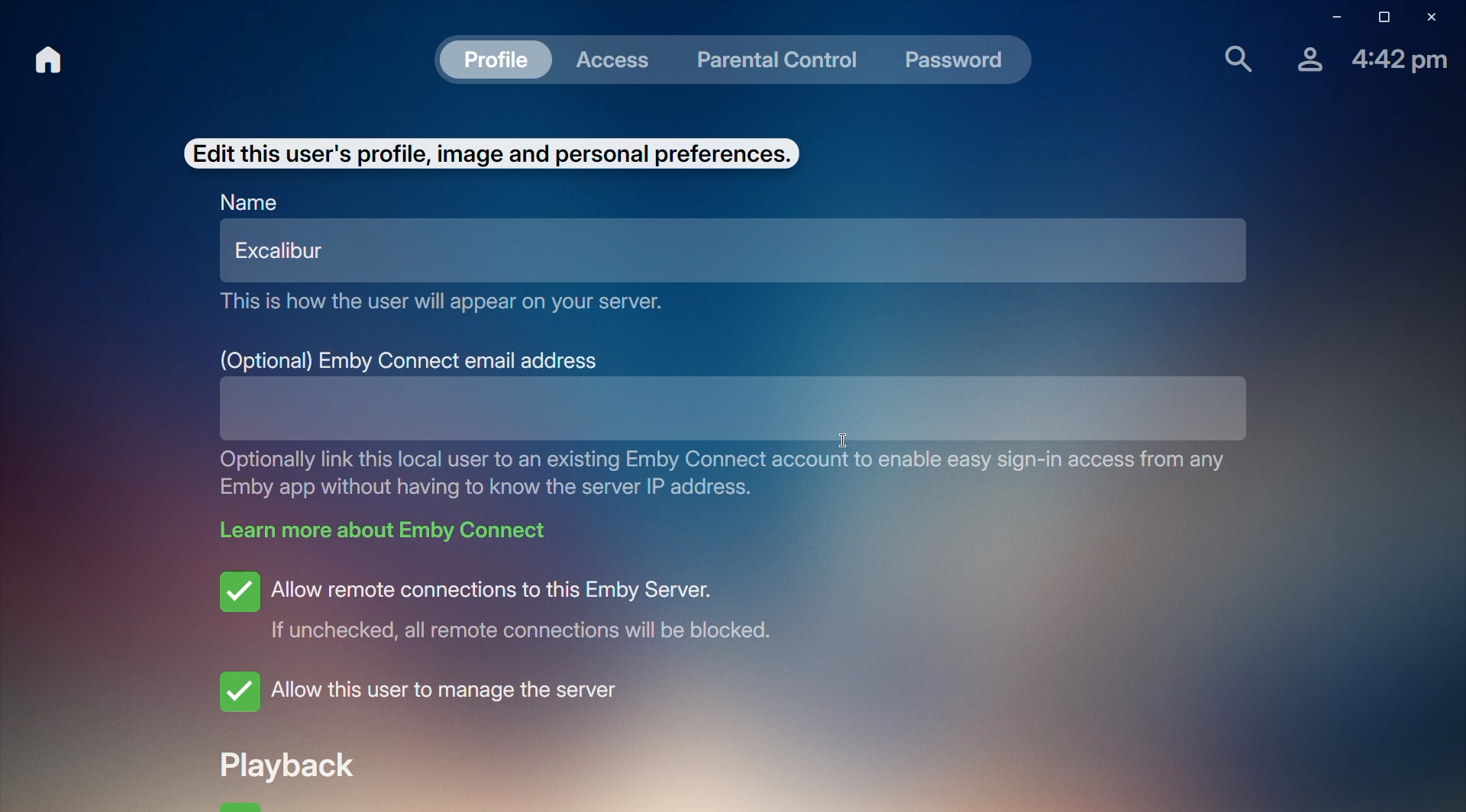 The width and height of the screenshot is (1466, 812). Describe the element at coordinates (514, 604) in the screenshot. I see ` Allow remote connections to this Emby Server.If unchecked, all remote connections will be blocked.` at that location.